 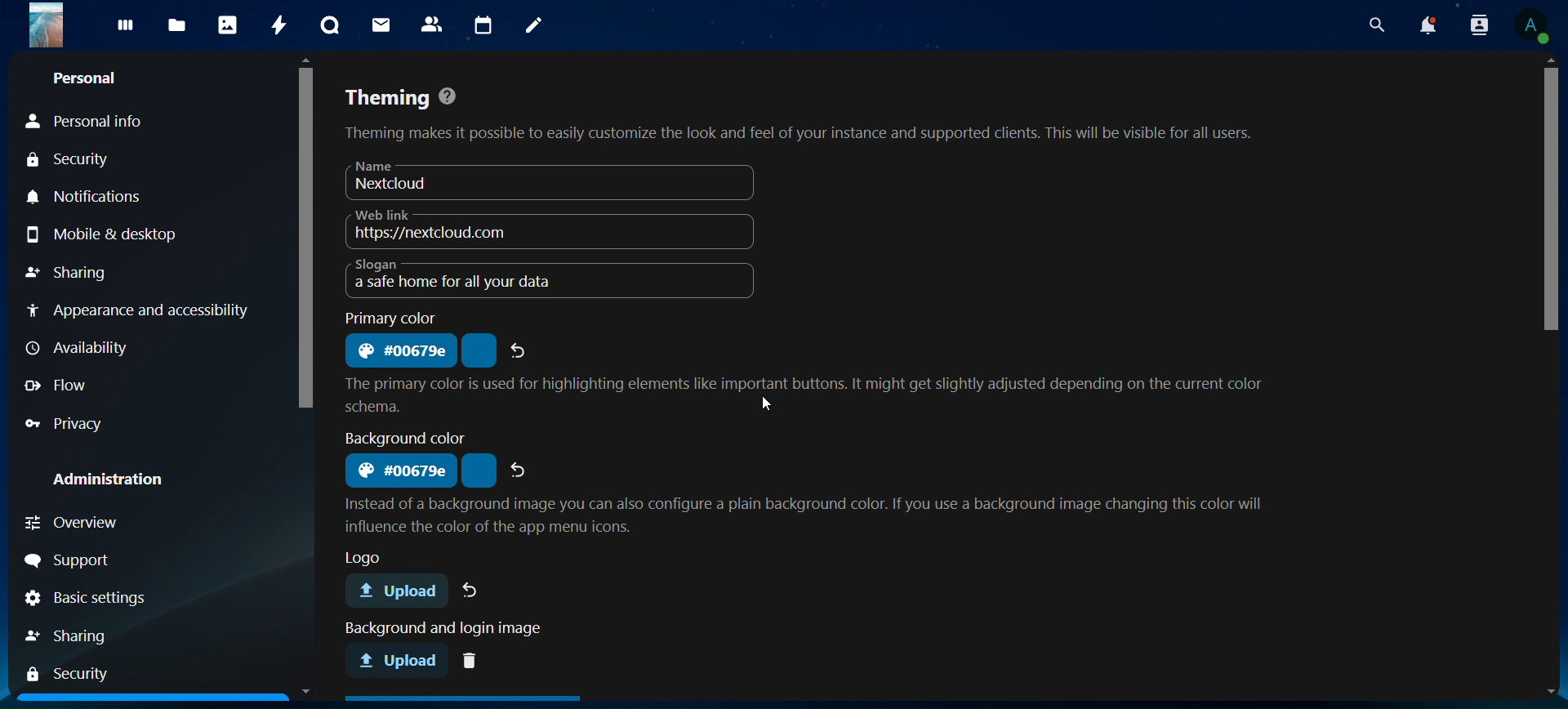 I want to click on files, so click(x=178, y=26).